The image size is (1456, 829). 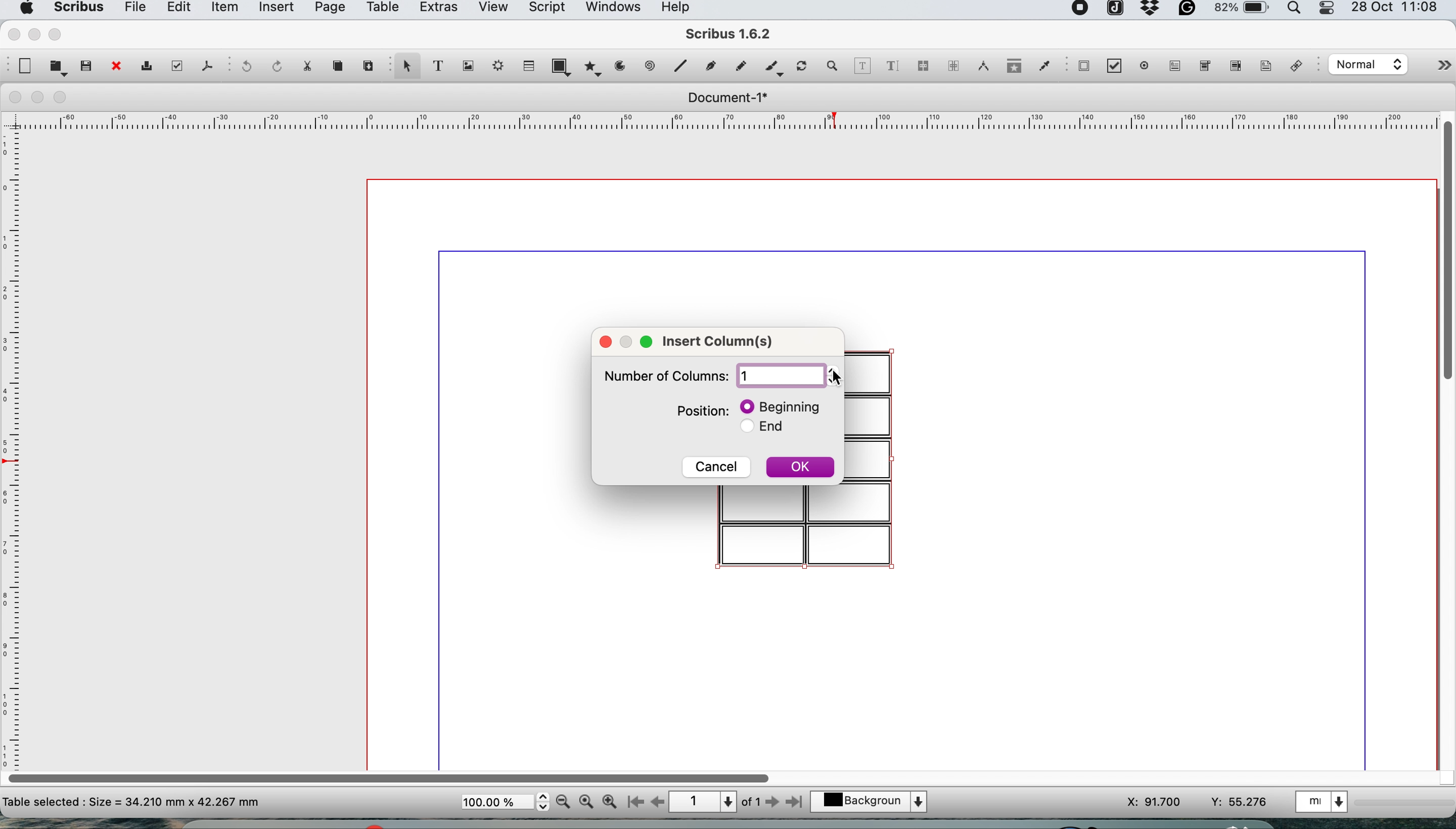 What do you see at coordinates (729, 35) in the screenshot?
I see `scribus` at bounding box center [729, 35].